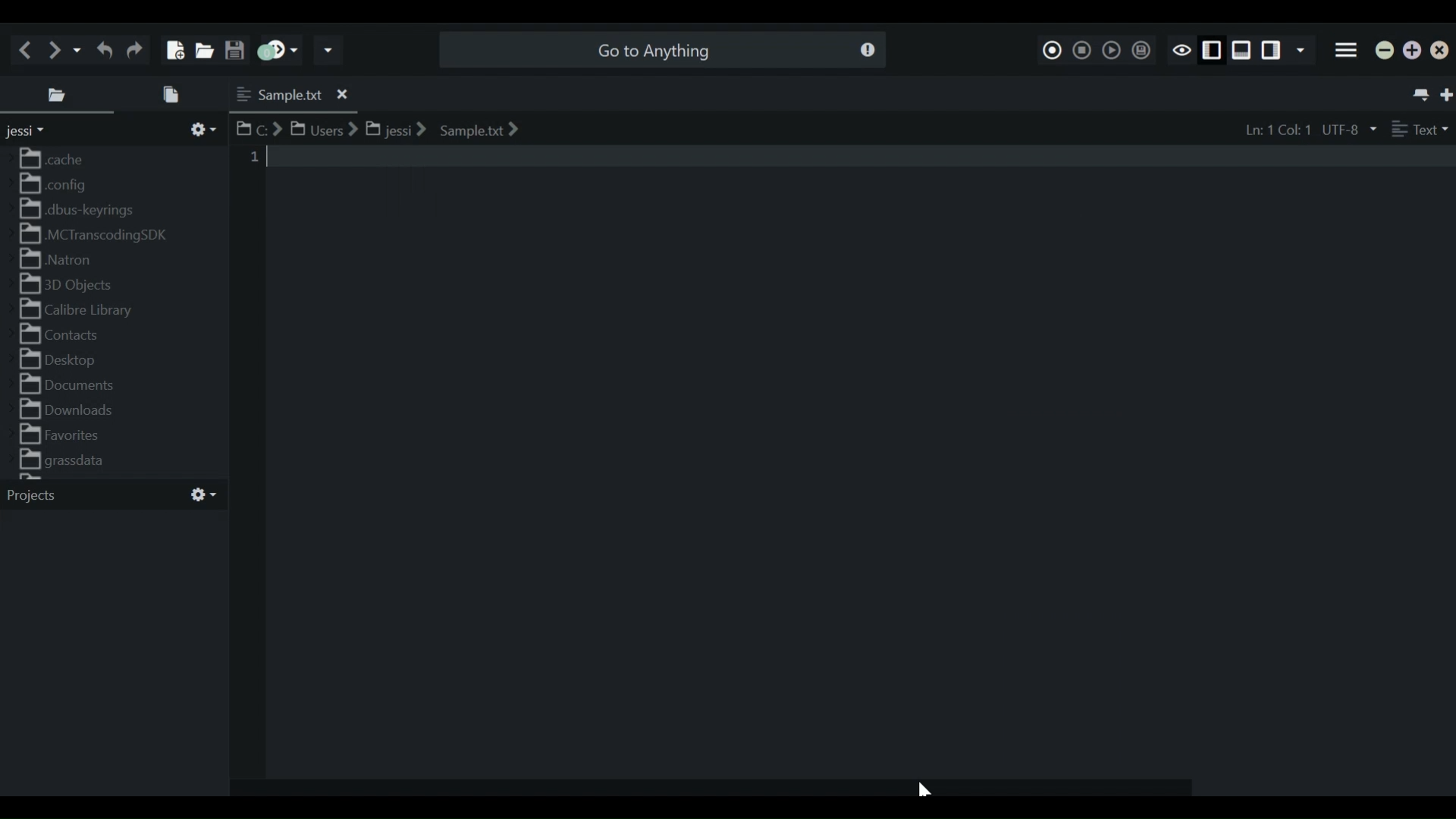  What do you see at coordinates (922, 791) in the screenshot?
I see `cursor` at bounding box center [922, 791].